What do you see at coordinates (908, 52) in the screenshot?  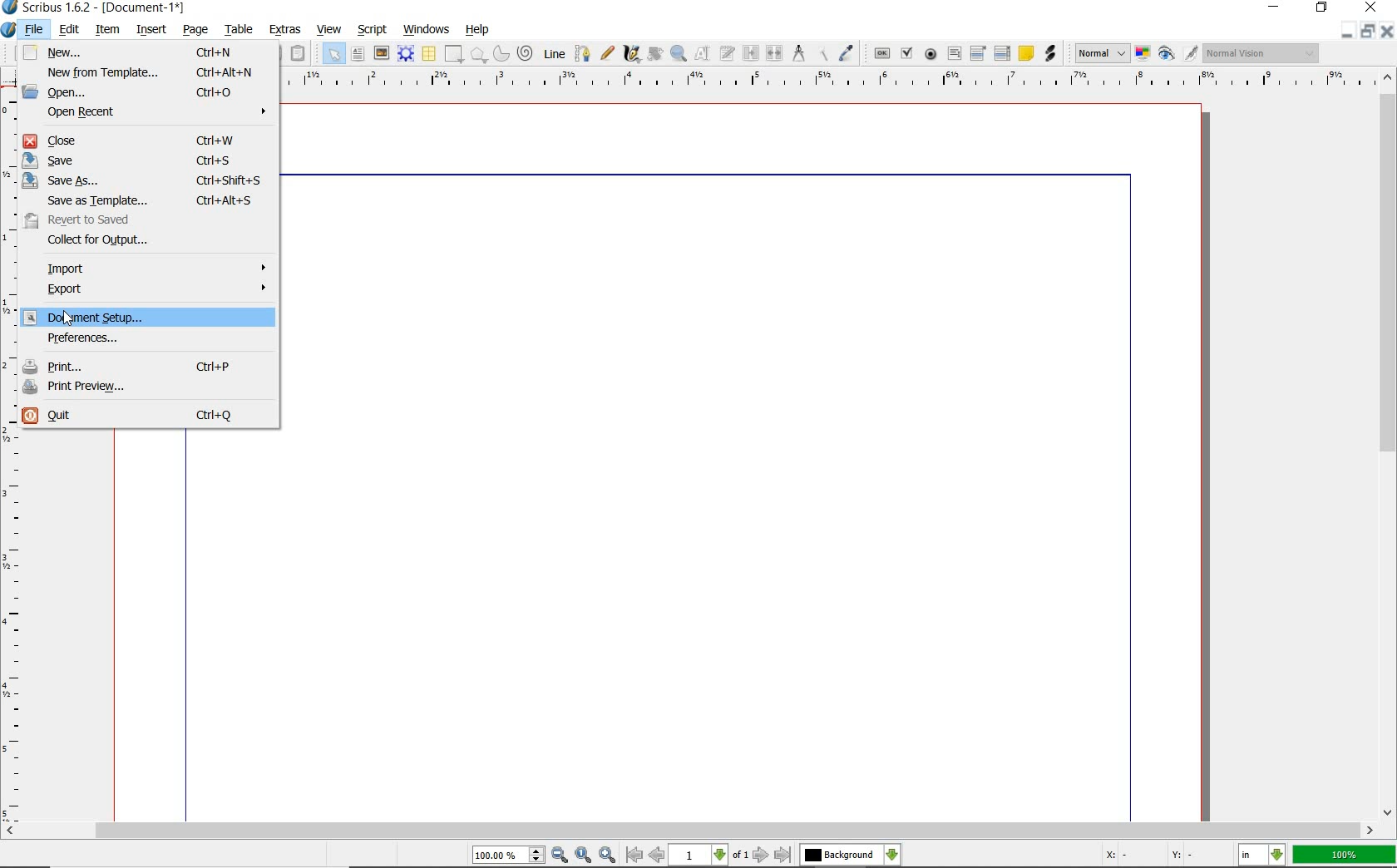 I see `pdf check box` at bounding box center [908, 52].